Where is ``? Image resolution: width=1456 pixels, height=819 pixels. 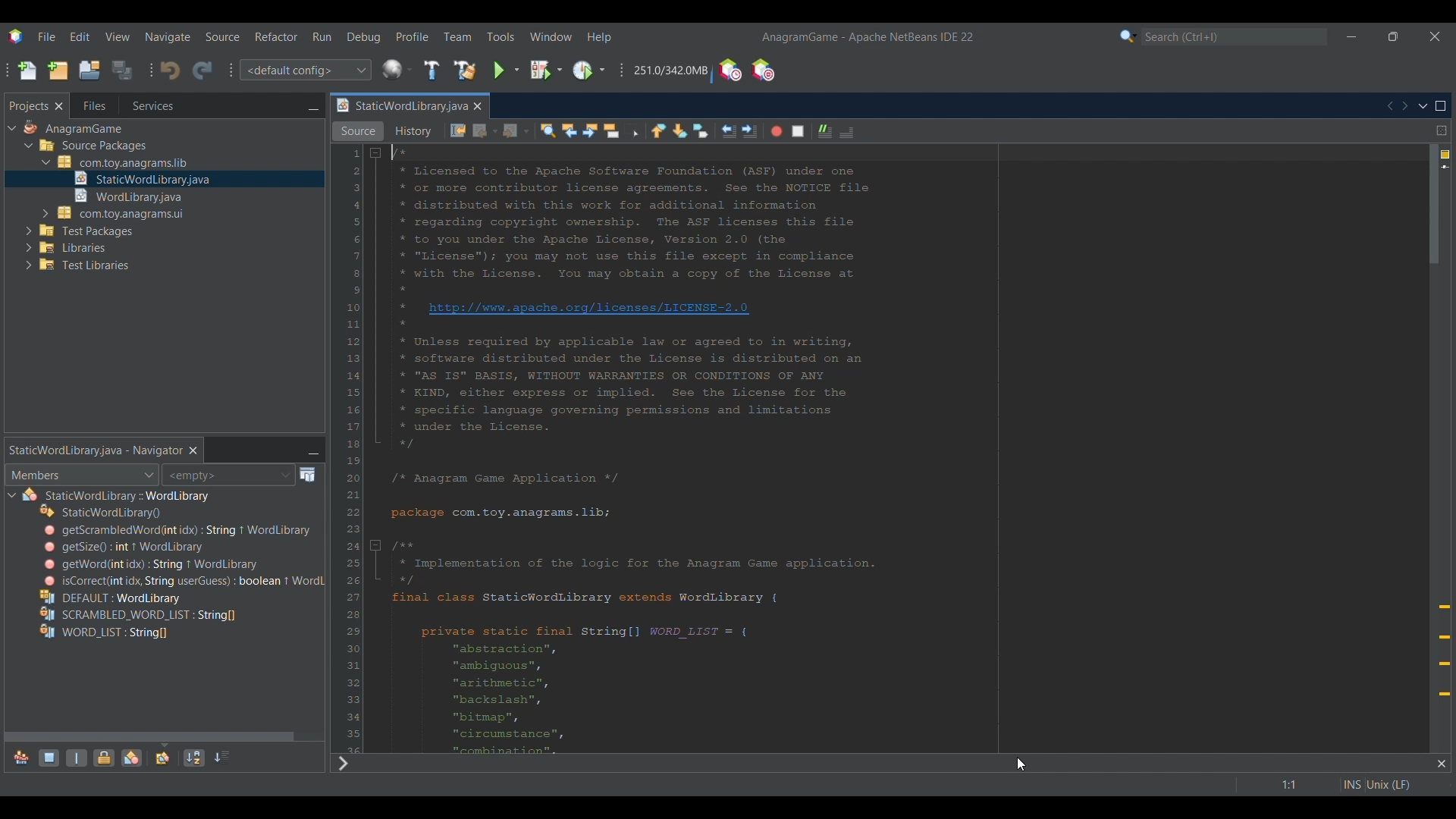
 is located at coordinates (94, 147).